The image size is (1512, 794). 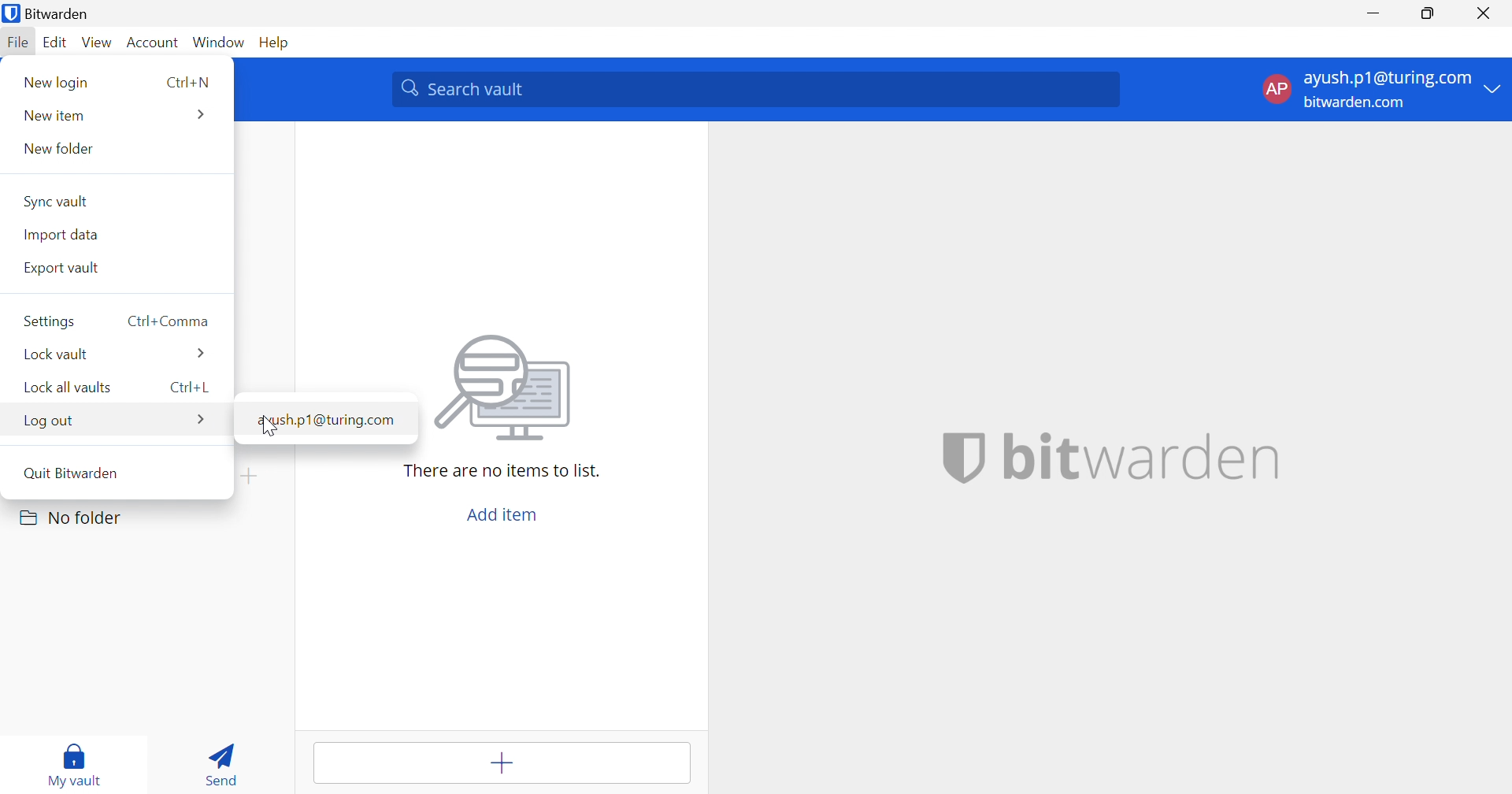 I want to click on create folder, so click(x=254, y=477).